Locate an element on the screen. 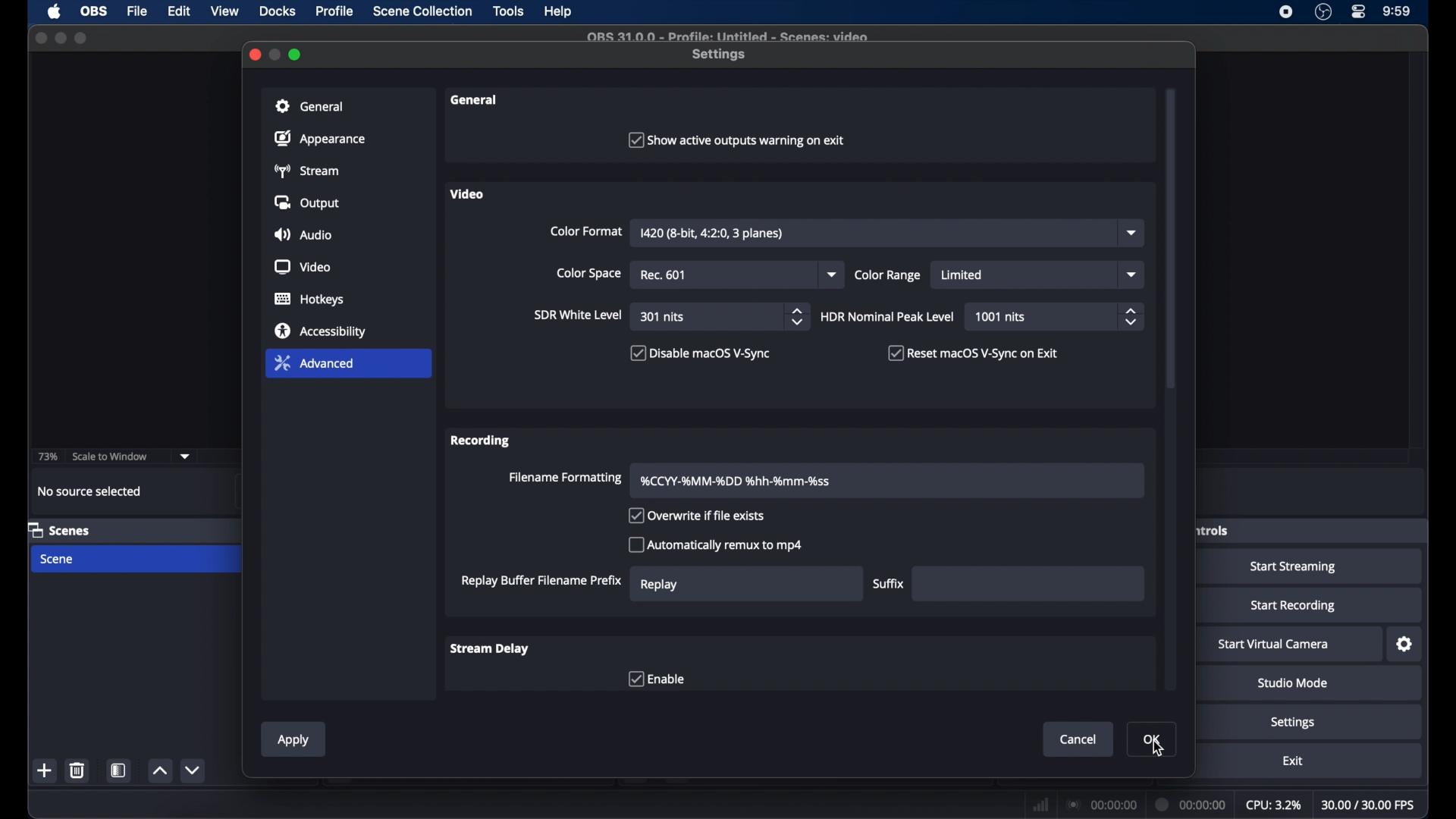 The height and width of the screenshot is (819, 1456). output is located at coordinates (306, 202).